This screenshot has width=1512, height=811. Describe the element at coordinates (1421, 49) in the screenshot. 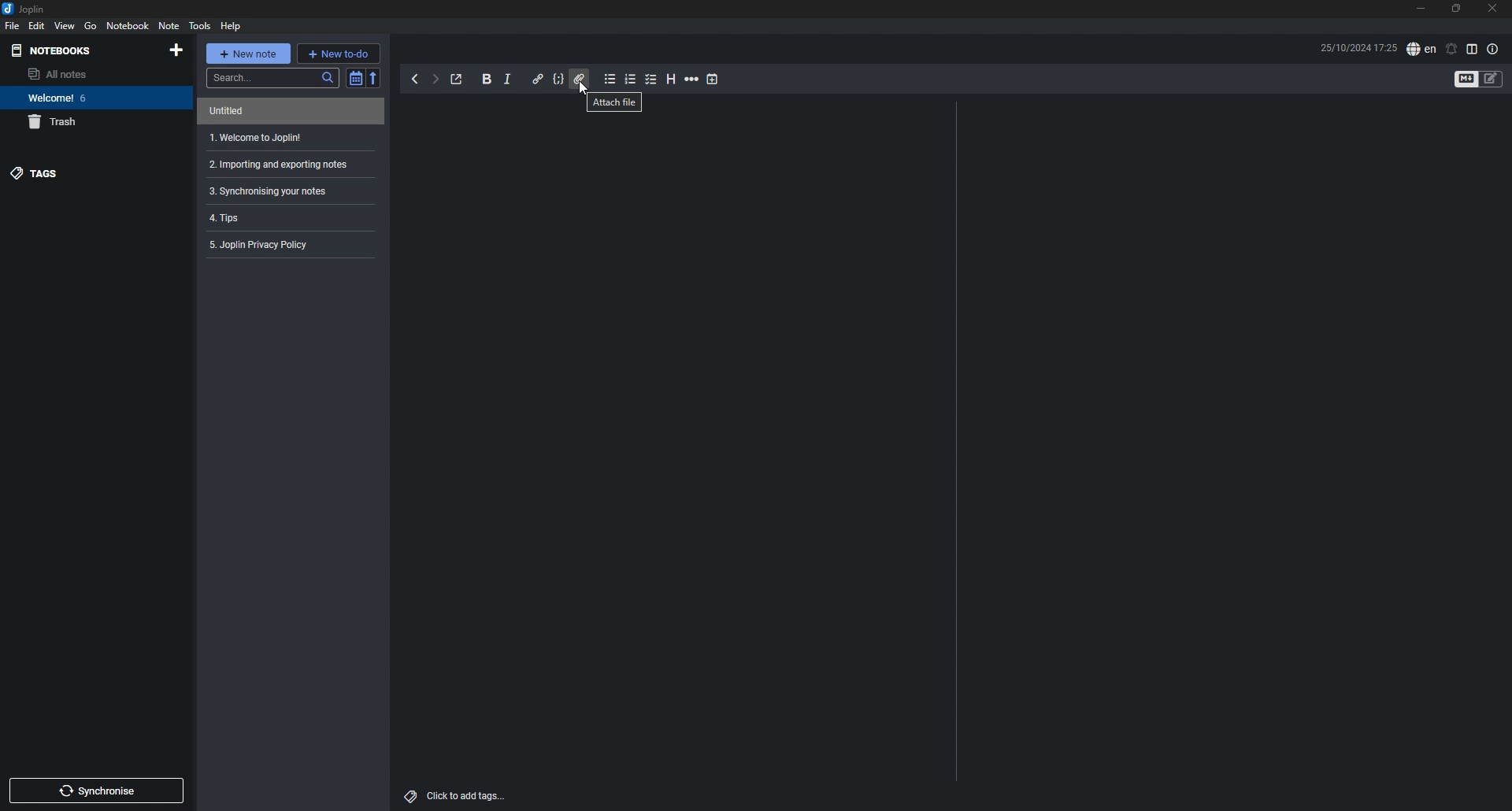

I see `spell check` at that location.